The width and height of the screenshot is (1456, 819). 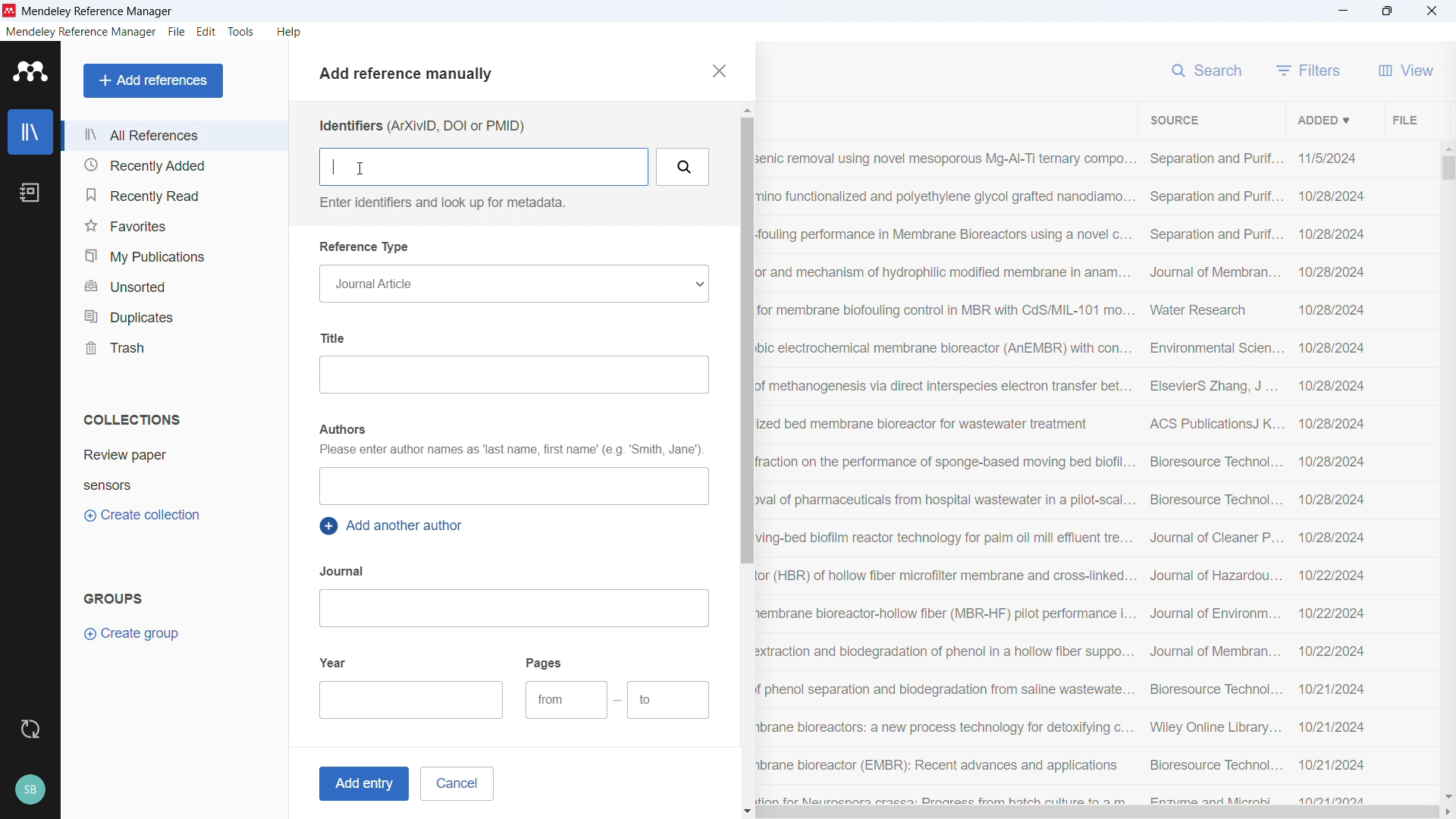 What do you see at coordinates (545, 662) in the screenshot?
I see `pages` at bounding box center [545, 662].